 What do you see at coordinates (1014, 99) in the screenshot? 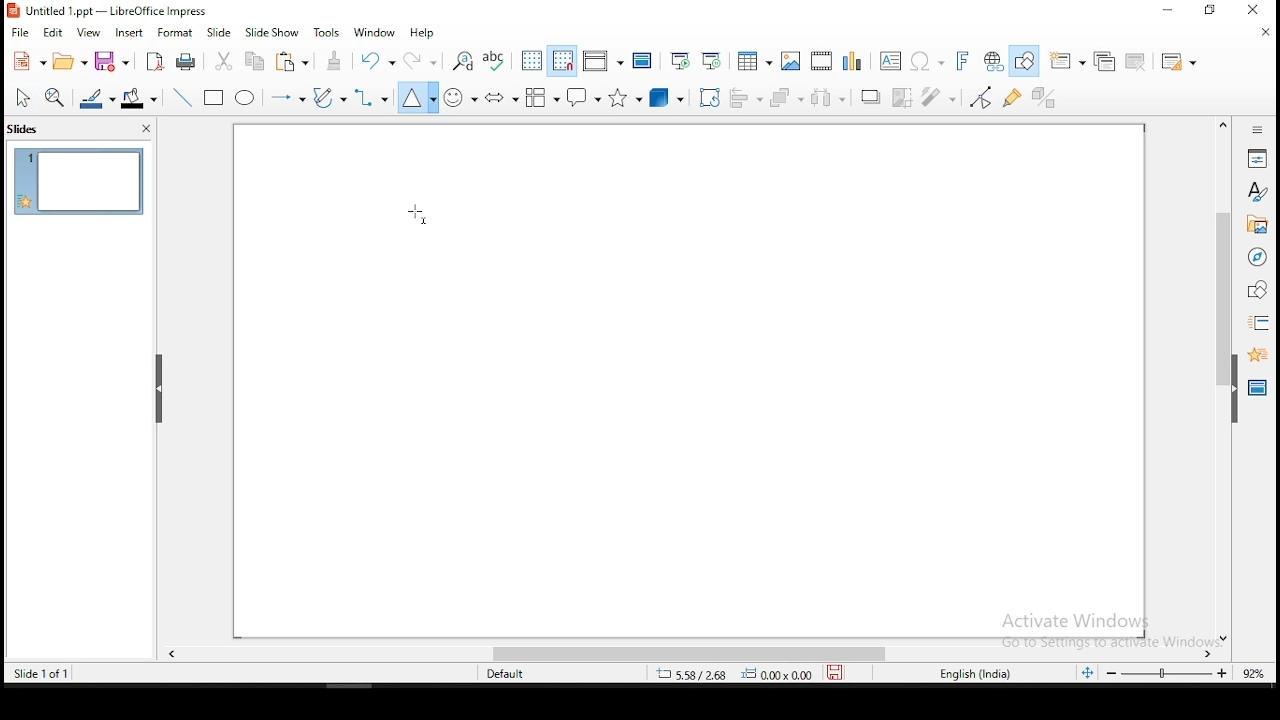
I see `show gluepoint functions` at bounding box center [1014, 99].